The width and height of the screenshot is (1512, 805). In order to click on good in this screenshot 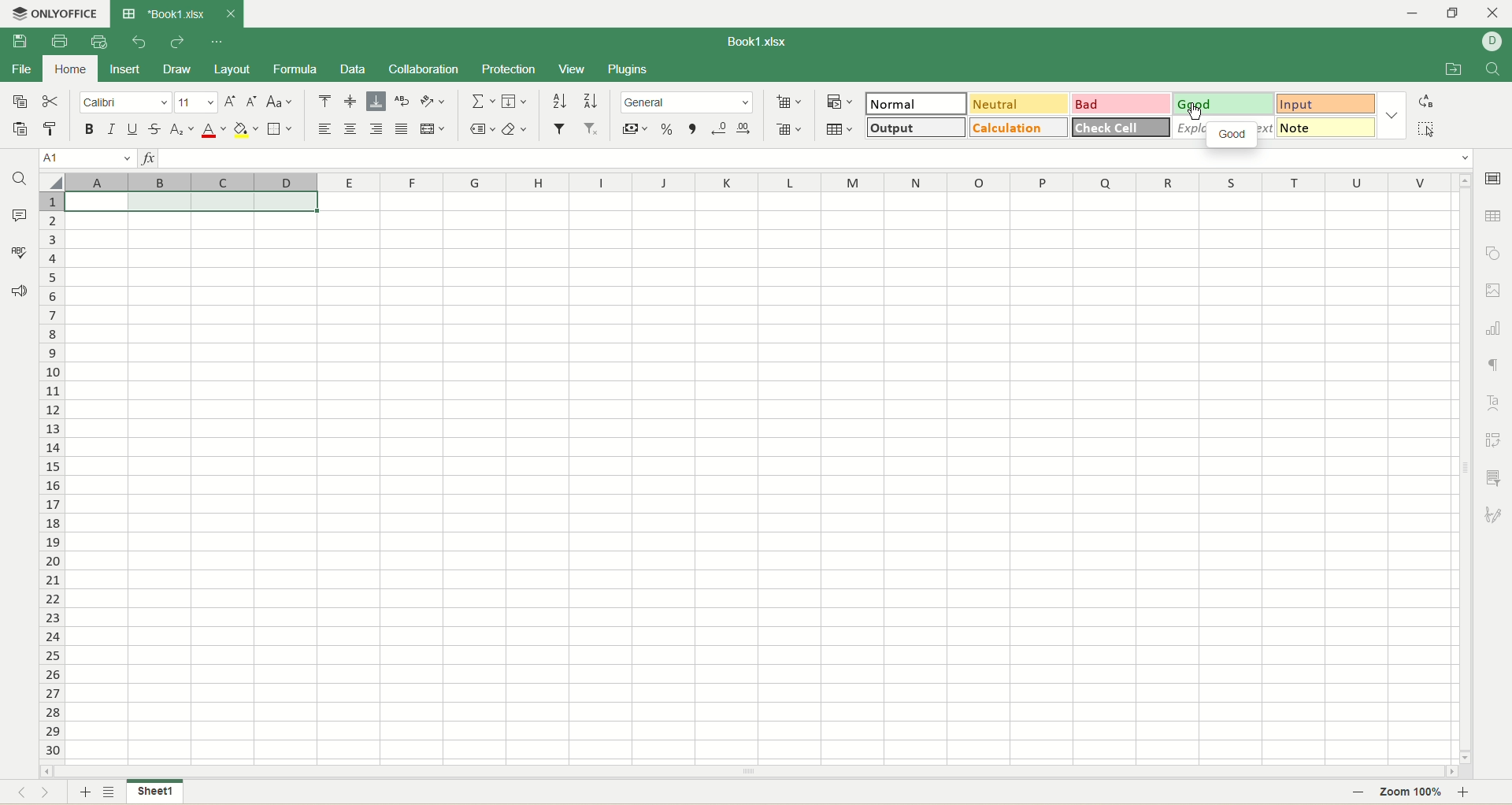, I will do `click(1225, 104)`.